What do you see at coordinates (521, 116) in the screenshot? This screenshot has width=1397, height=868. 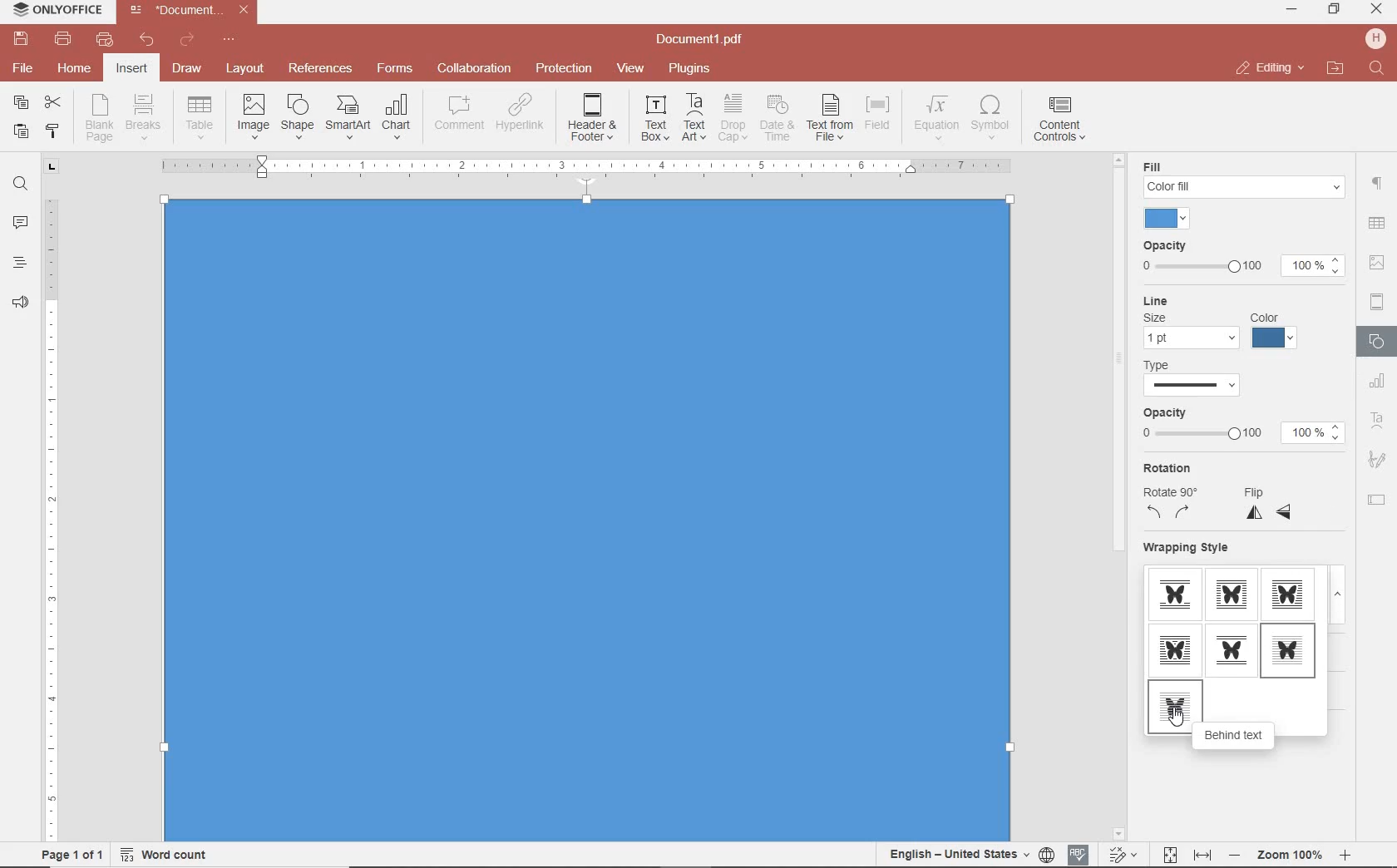 I see `ADD HYPERLINK` at bounding box center [521, 116].